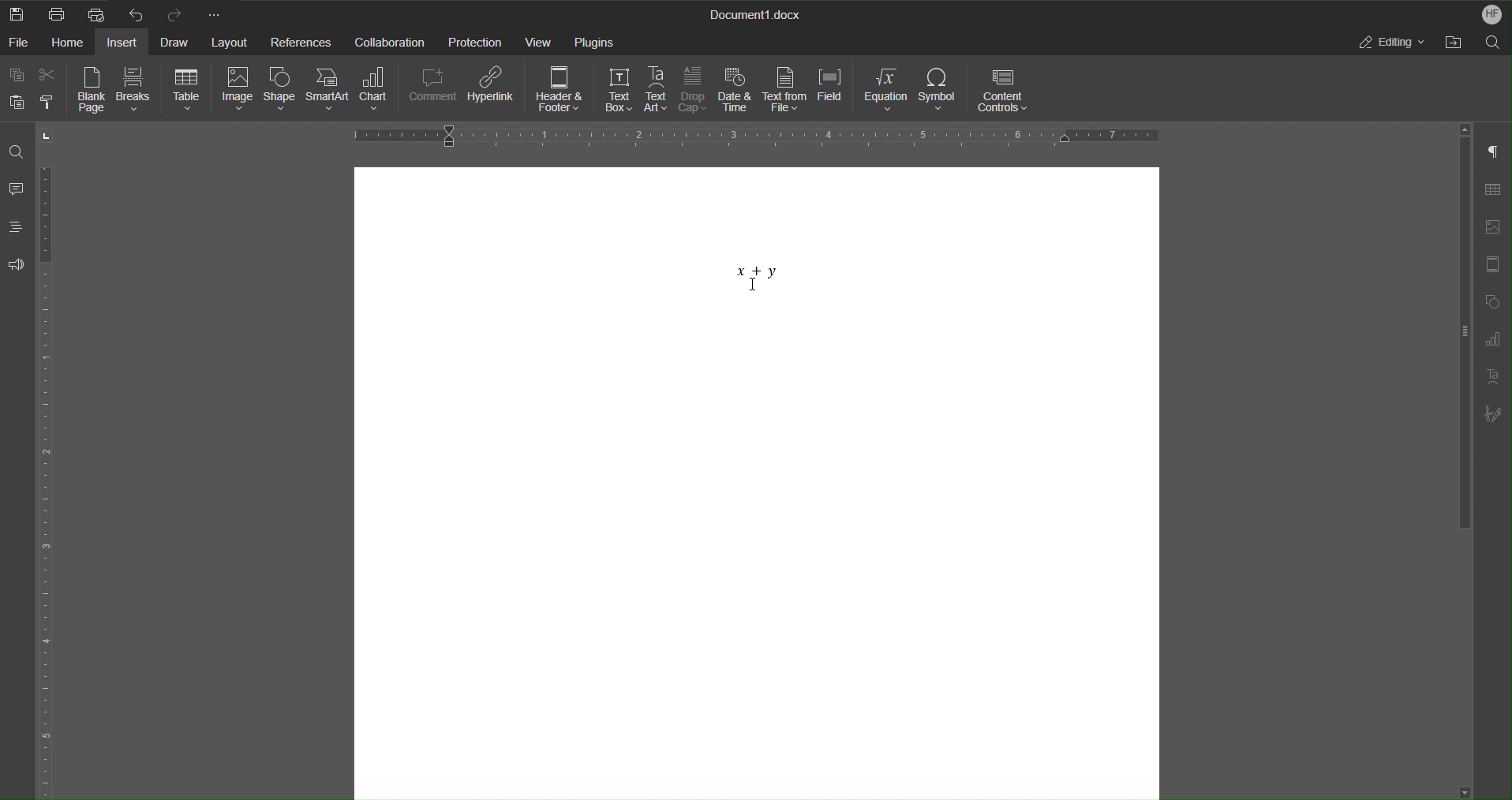 The width and height of the screenshot is (1512, 800). Describe the element at coordinates (1490, 13) in the screenshot. I see `Account` at that location.